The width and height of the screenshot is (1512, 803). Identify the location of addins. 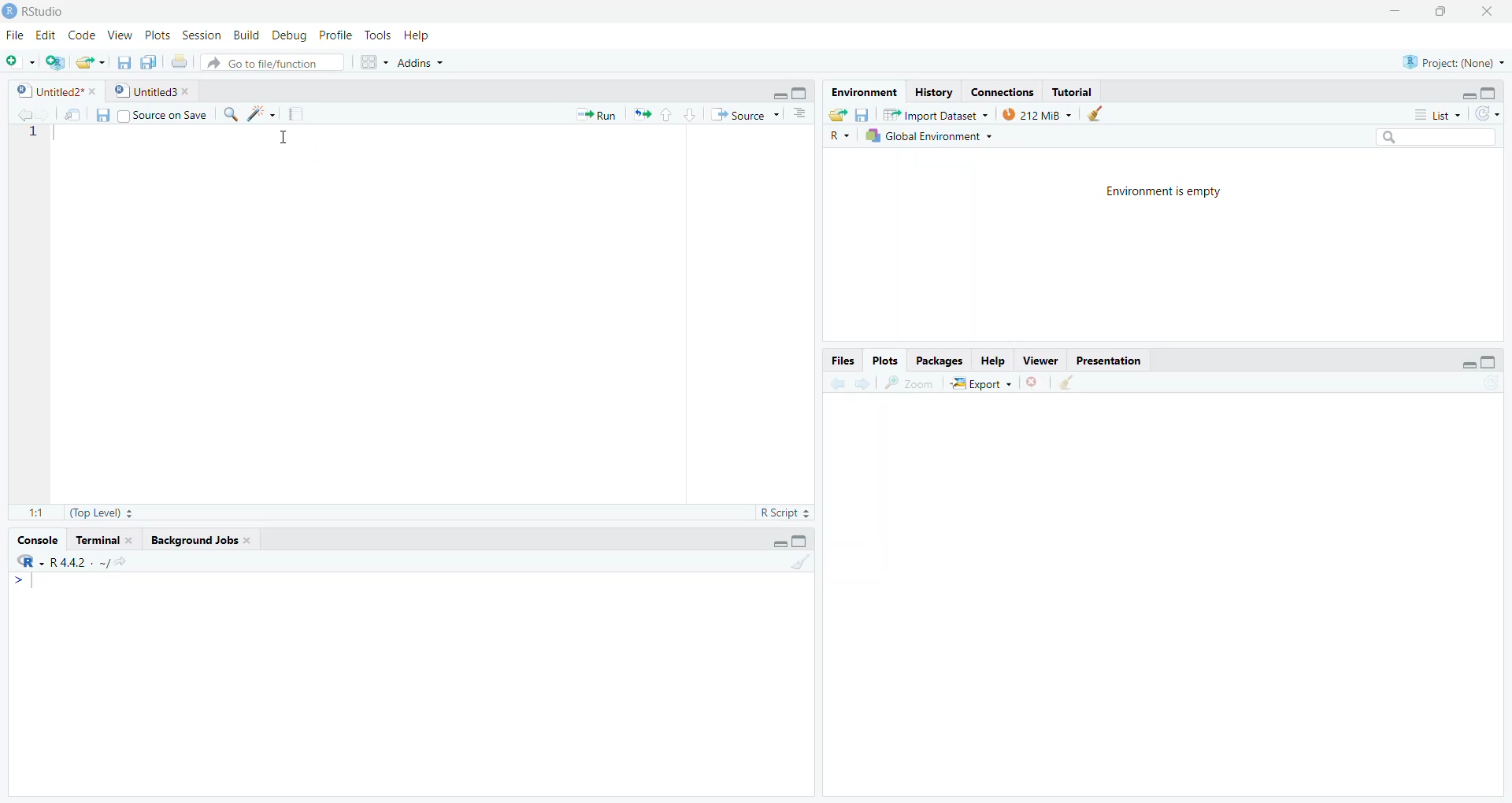
(428, 65).